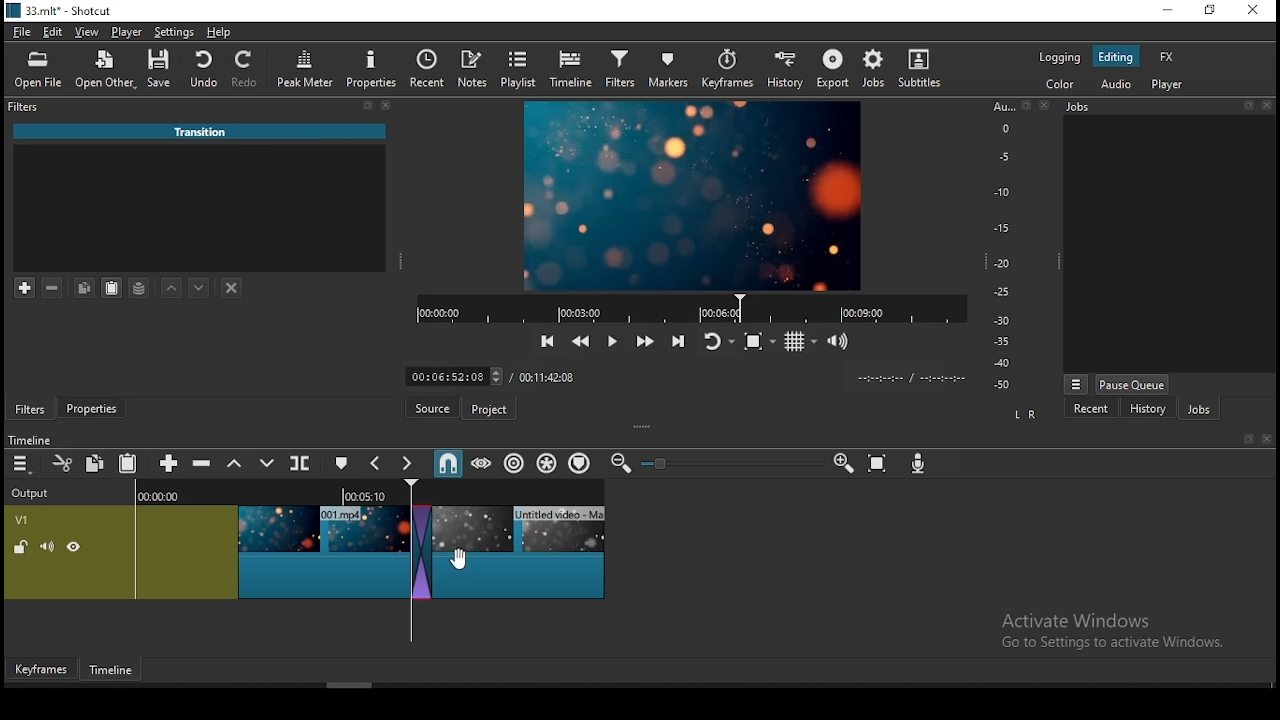 This screenshot has height=720, width=1280. I want to click on timeline, so click(568, 70).